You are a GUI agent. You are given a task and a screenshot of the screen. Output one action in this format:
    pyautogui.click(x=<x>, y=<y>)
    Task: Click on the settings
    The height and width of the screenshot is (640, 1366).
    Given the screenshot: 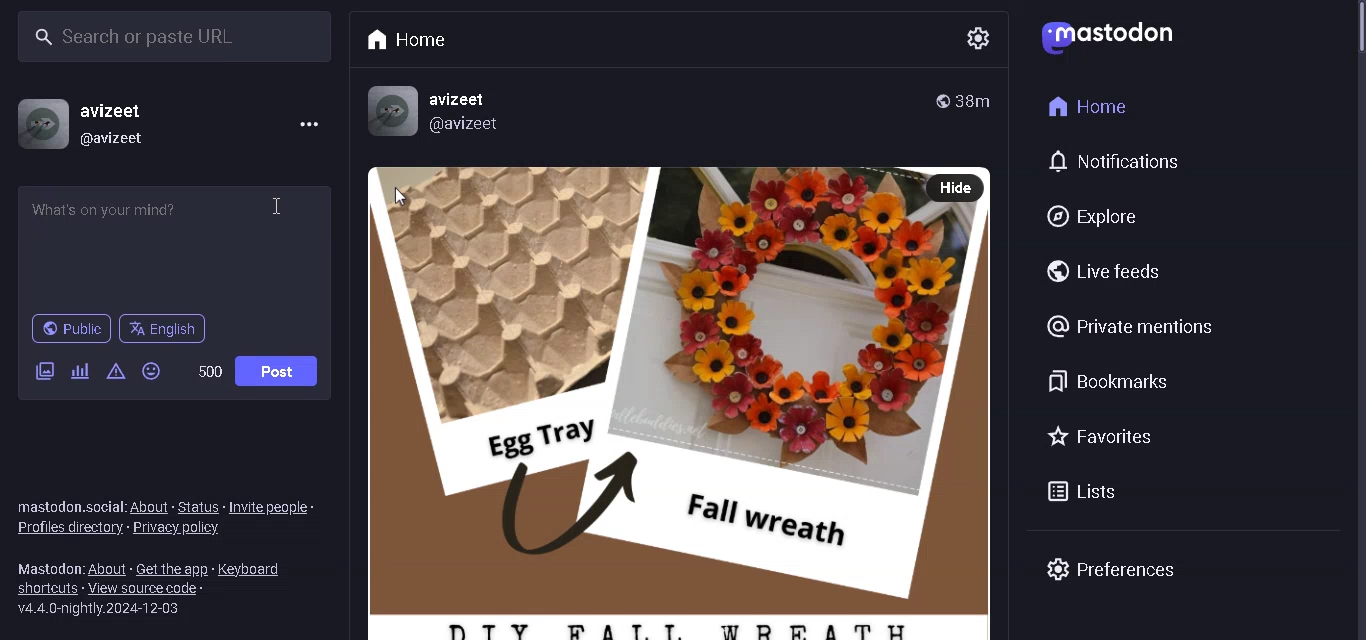 What is the action you would take?
    pyautogui.click(x=965, y=38)
    